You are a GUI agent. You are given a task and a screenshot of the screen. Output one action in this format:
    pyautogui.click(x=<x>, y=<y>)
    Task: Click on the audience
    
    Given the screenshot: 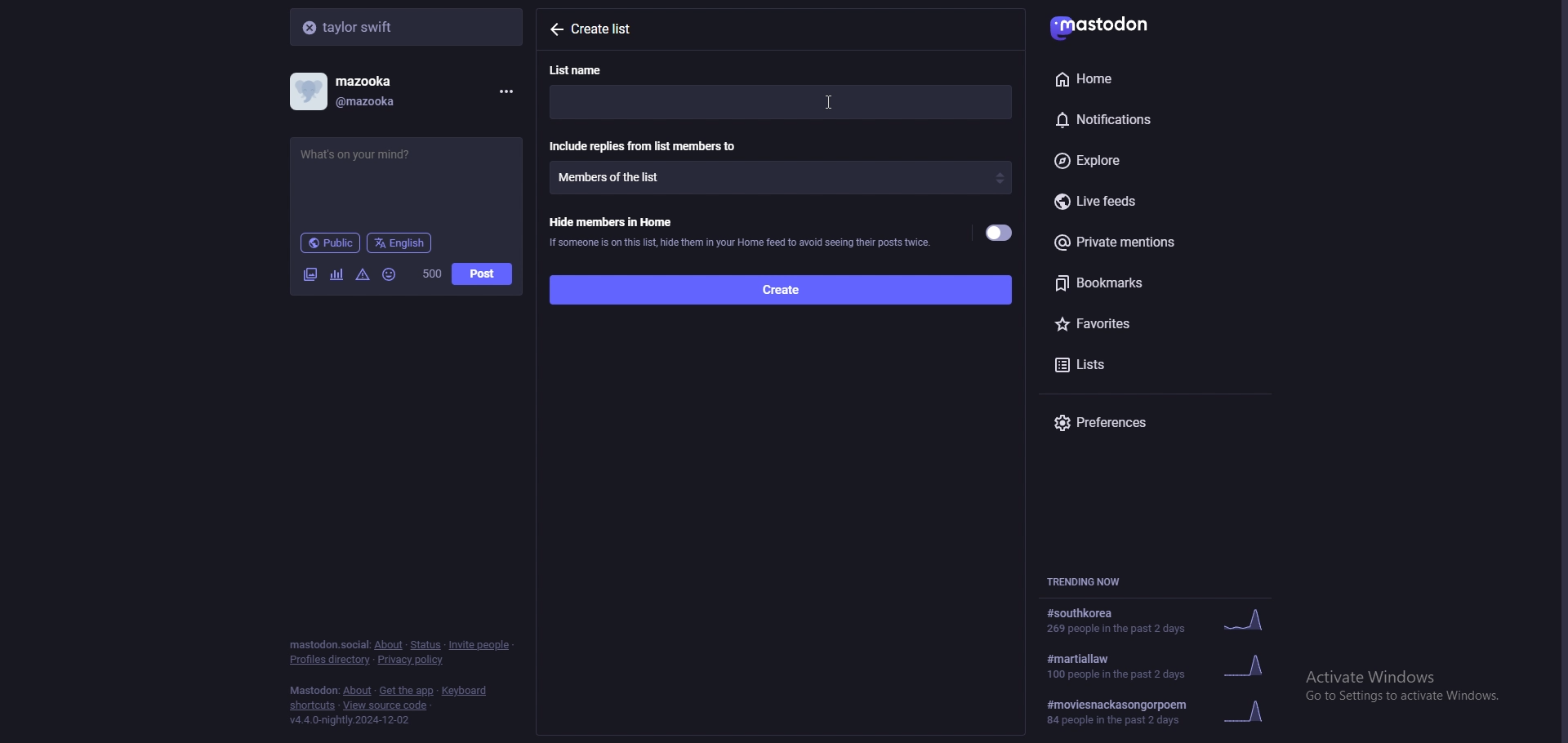 What is the action you would take?
    pyautogui.click(x=330, y=242)
    